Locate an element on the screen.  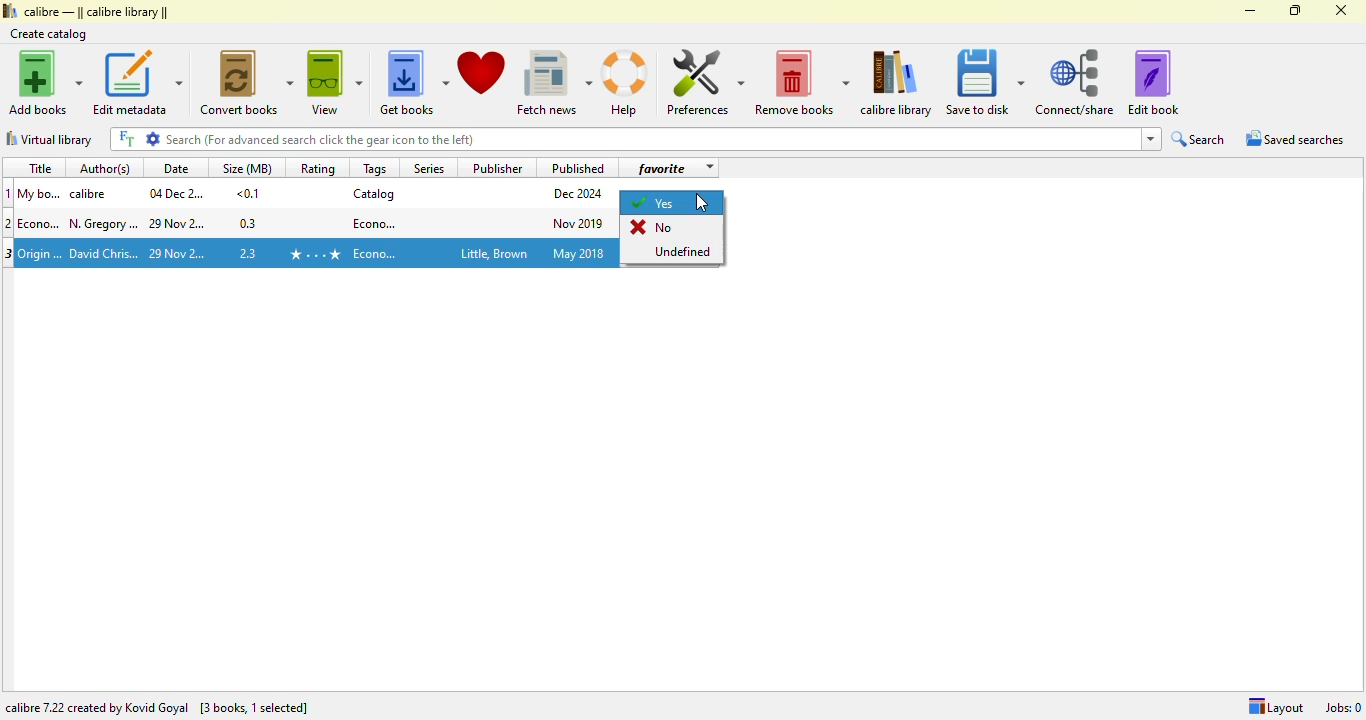
published is located at coordinates (578, 167).